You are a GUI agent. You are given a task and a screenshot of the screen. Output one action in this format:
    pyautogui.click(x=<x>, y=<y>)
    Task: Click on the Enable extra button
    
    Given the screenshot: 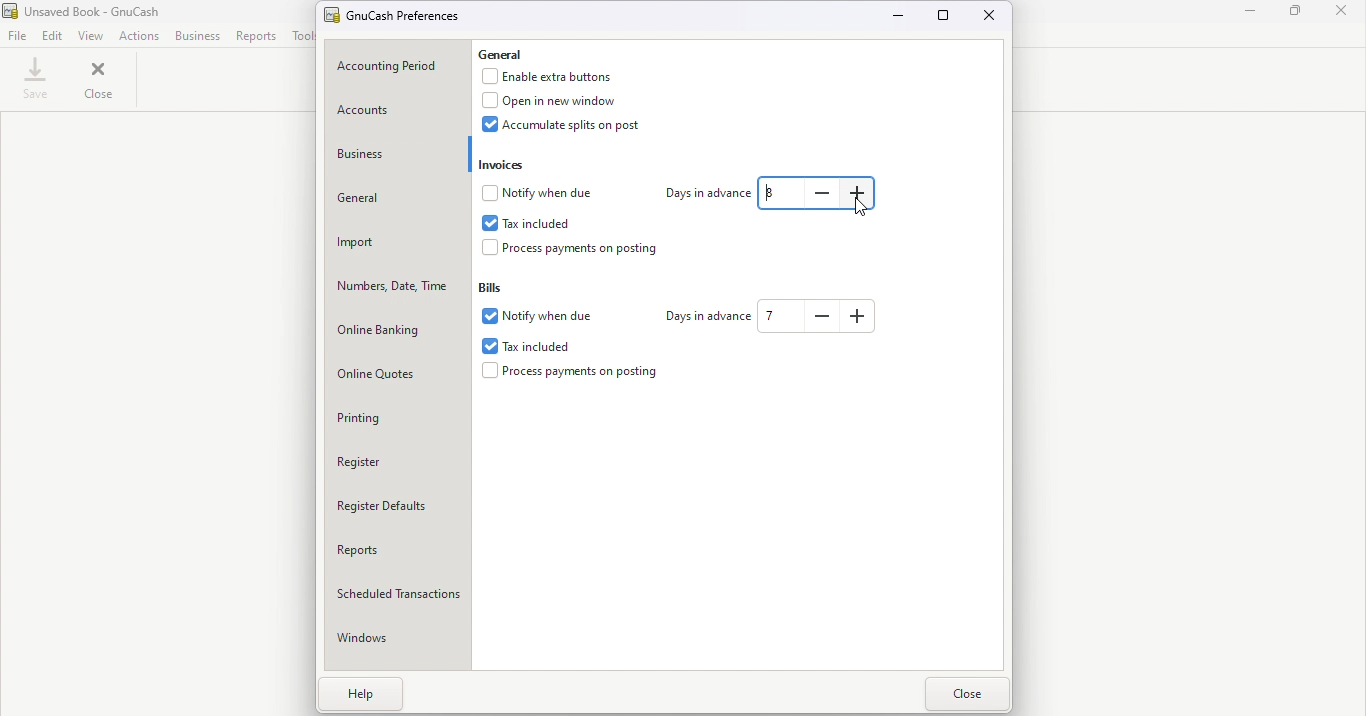 What is the action you would take?
    pyautogui.click(x=558, y=77)
    